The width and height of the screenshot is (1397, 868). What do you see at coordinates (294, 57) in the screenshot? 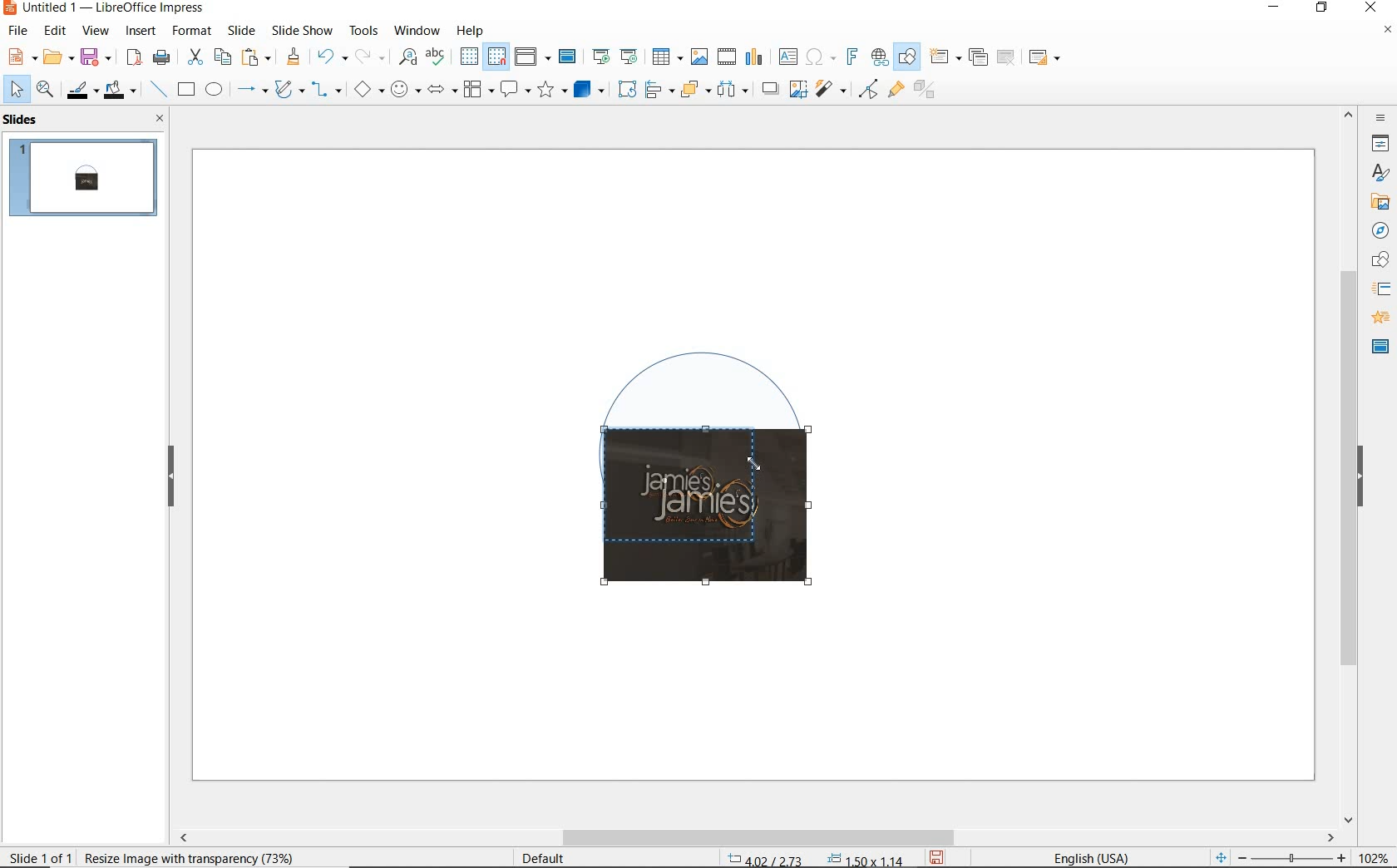
I see `clone formatting` at bounding box center [294, 57].